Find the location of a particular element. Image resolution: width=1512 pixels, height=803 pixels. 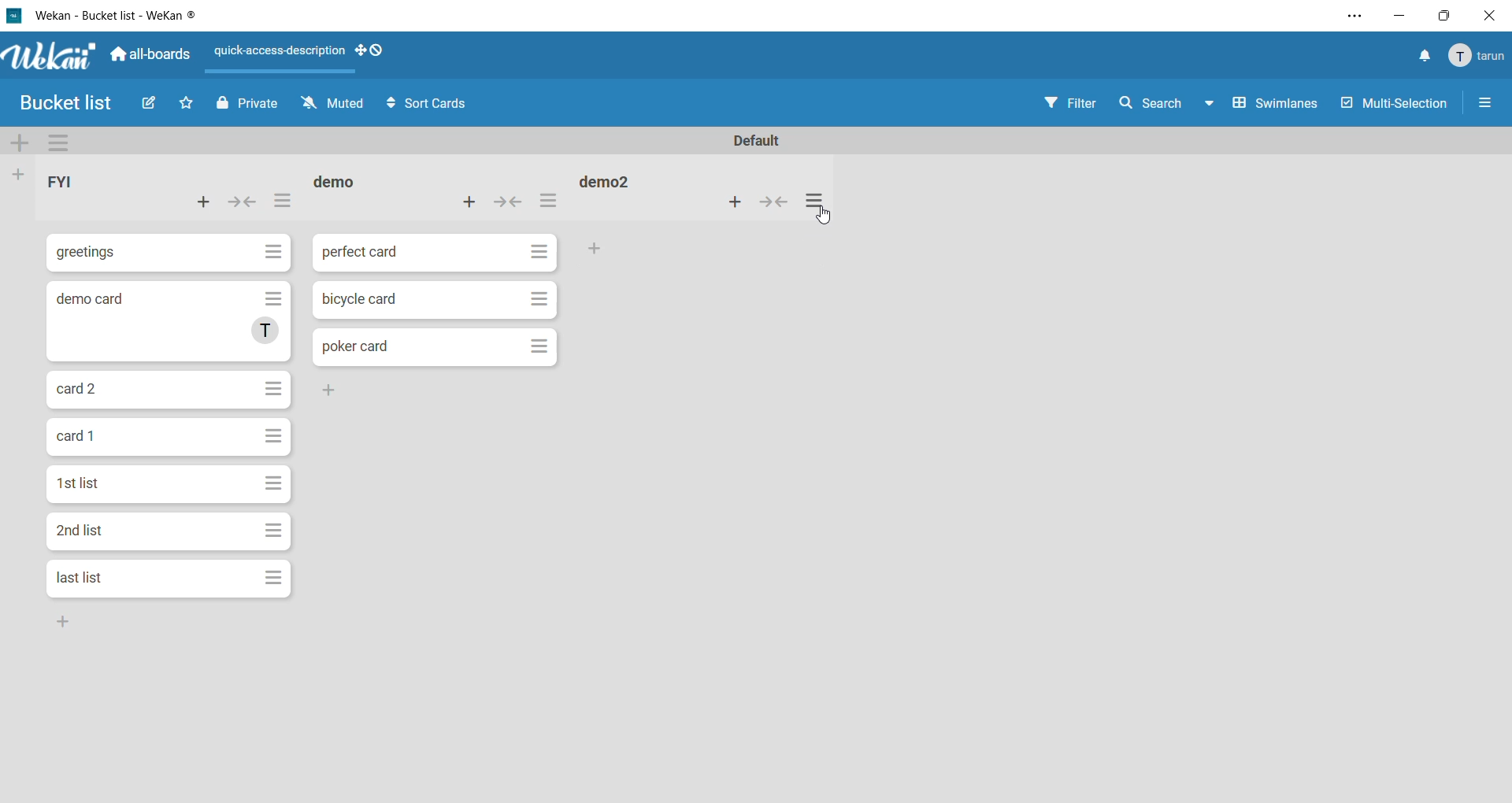

add swimlane is located at coordinates (22, 142).